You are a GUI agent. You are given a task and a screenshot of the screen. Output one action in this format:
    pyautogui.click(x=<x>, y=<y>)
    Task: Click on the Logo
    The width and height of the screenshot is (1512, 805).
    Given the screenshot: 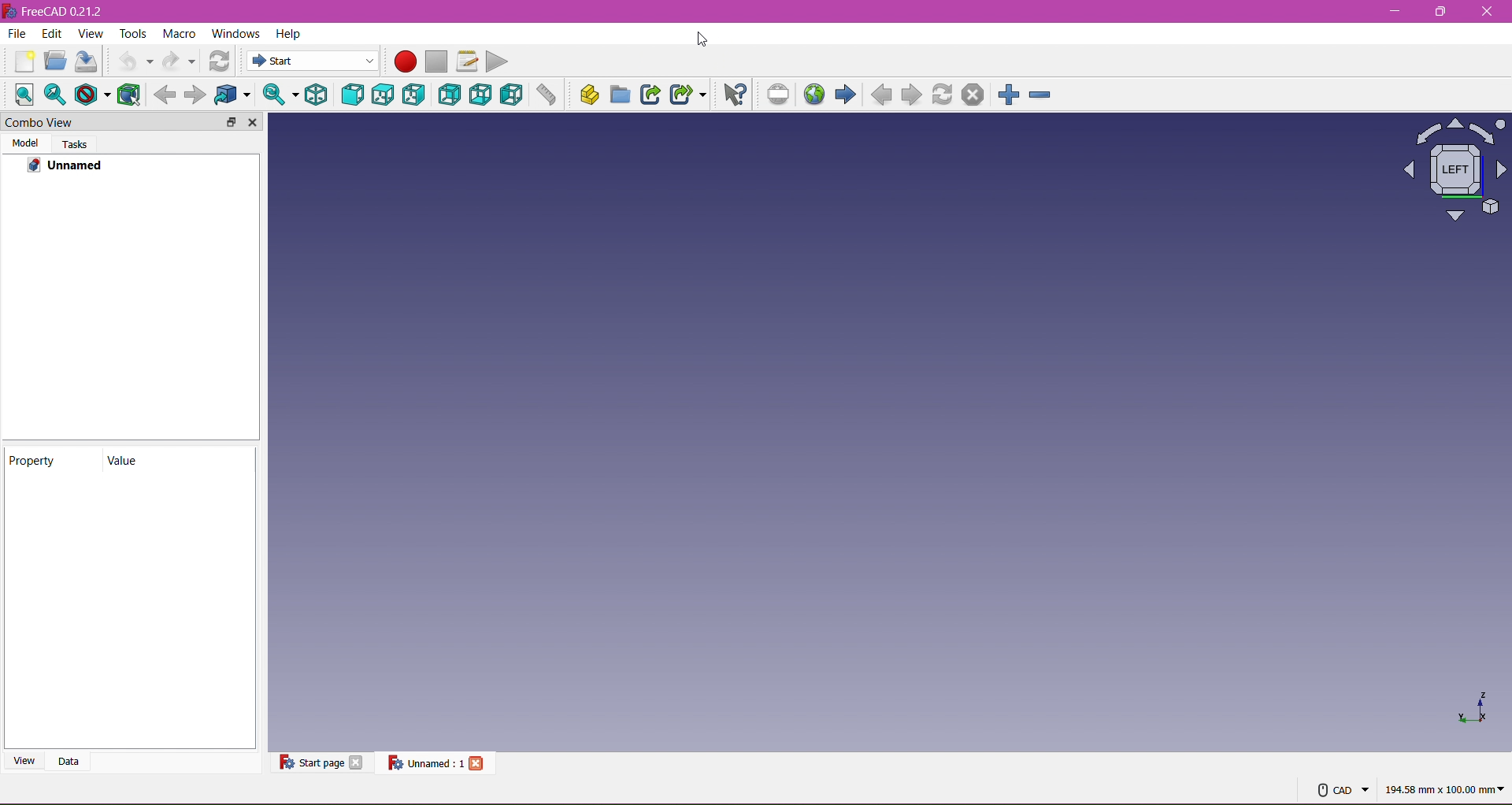 What is the action you would take?
    pyautogui.click(x=10, y=13)
    